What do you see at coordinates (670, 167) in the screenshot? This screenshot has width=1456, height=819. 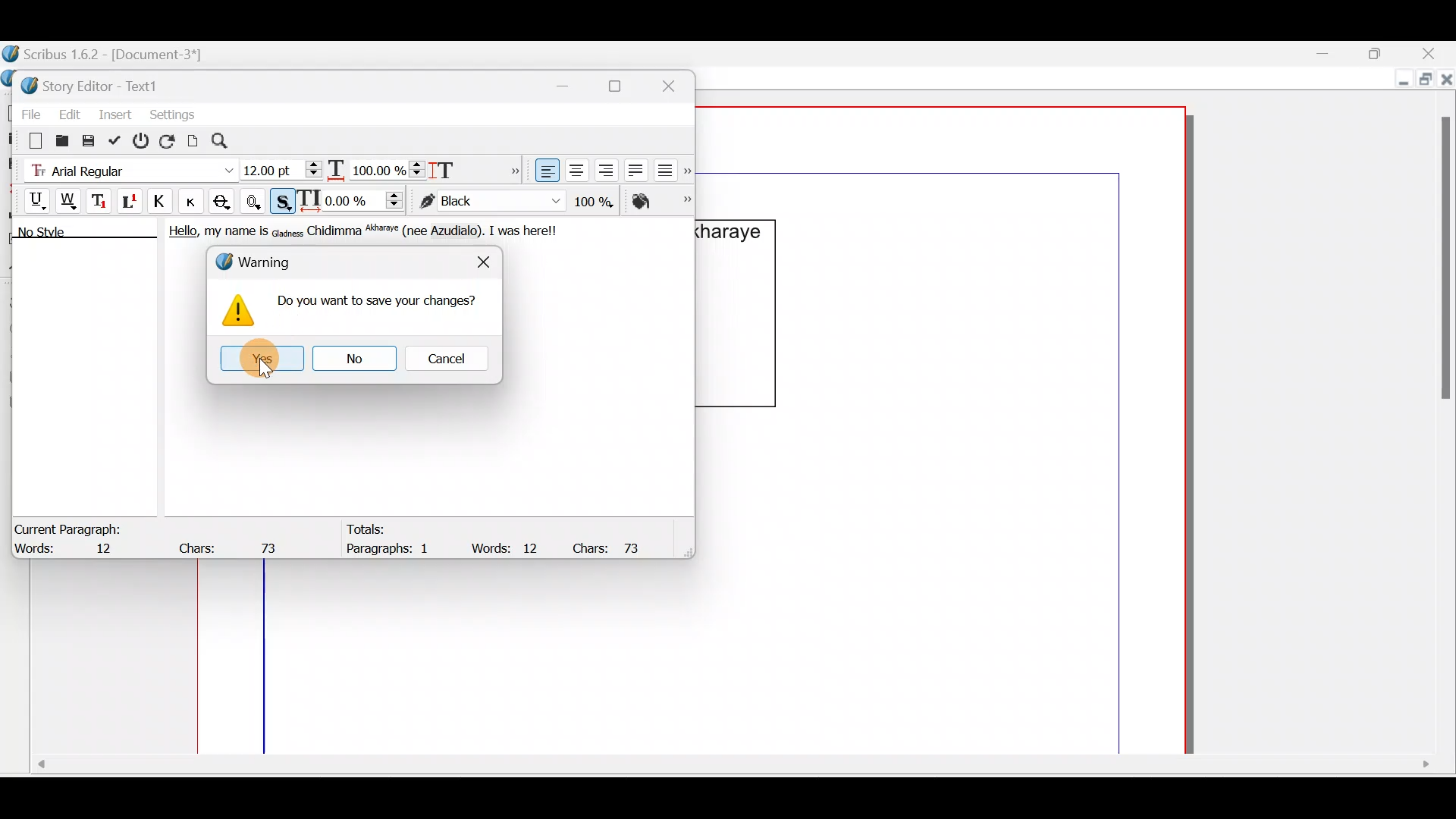 I see `Align text force justified` at bounding box center [670, 167].